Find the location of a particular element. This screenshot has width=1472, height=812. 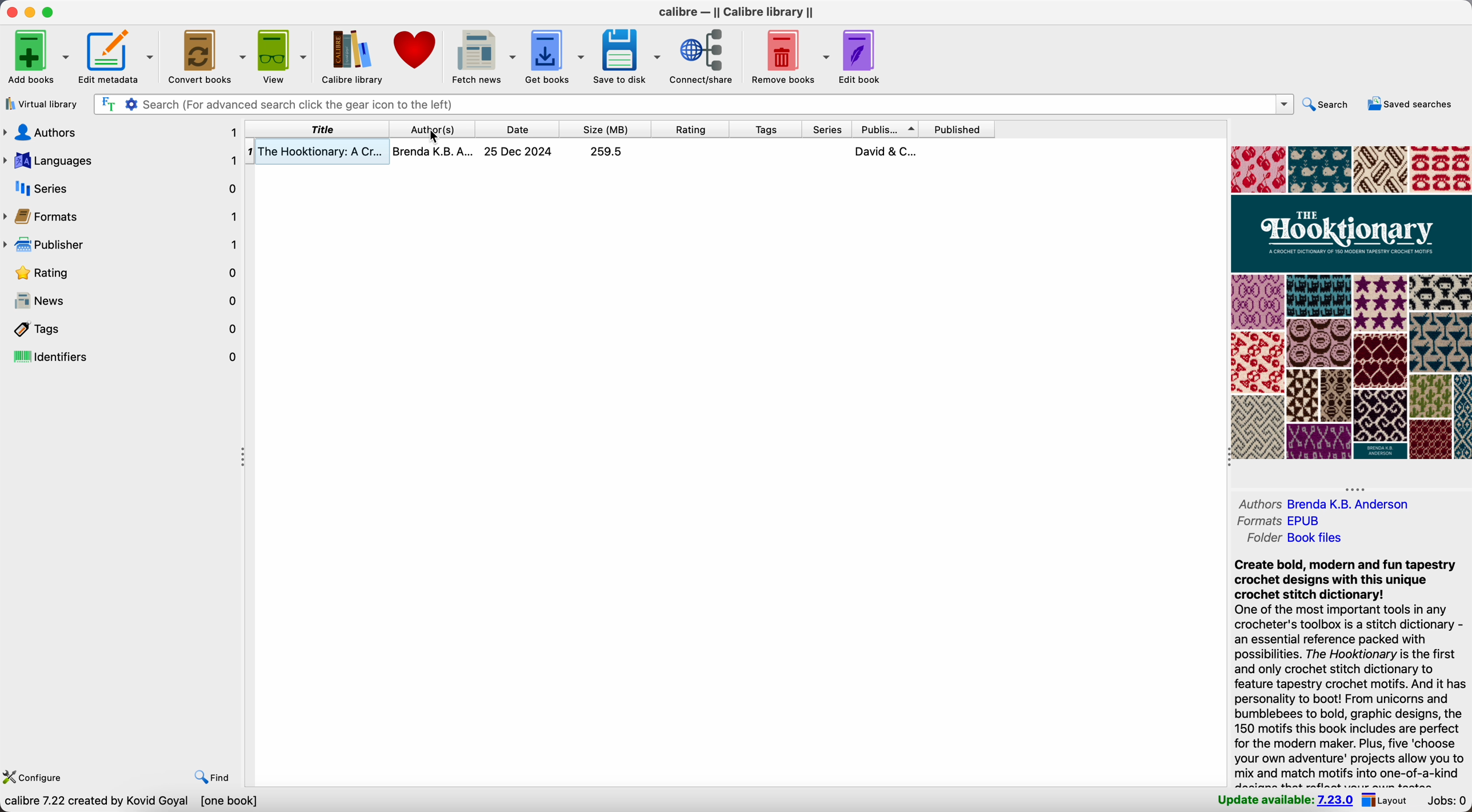

publisher is located at coordinates (886, 129).